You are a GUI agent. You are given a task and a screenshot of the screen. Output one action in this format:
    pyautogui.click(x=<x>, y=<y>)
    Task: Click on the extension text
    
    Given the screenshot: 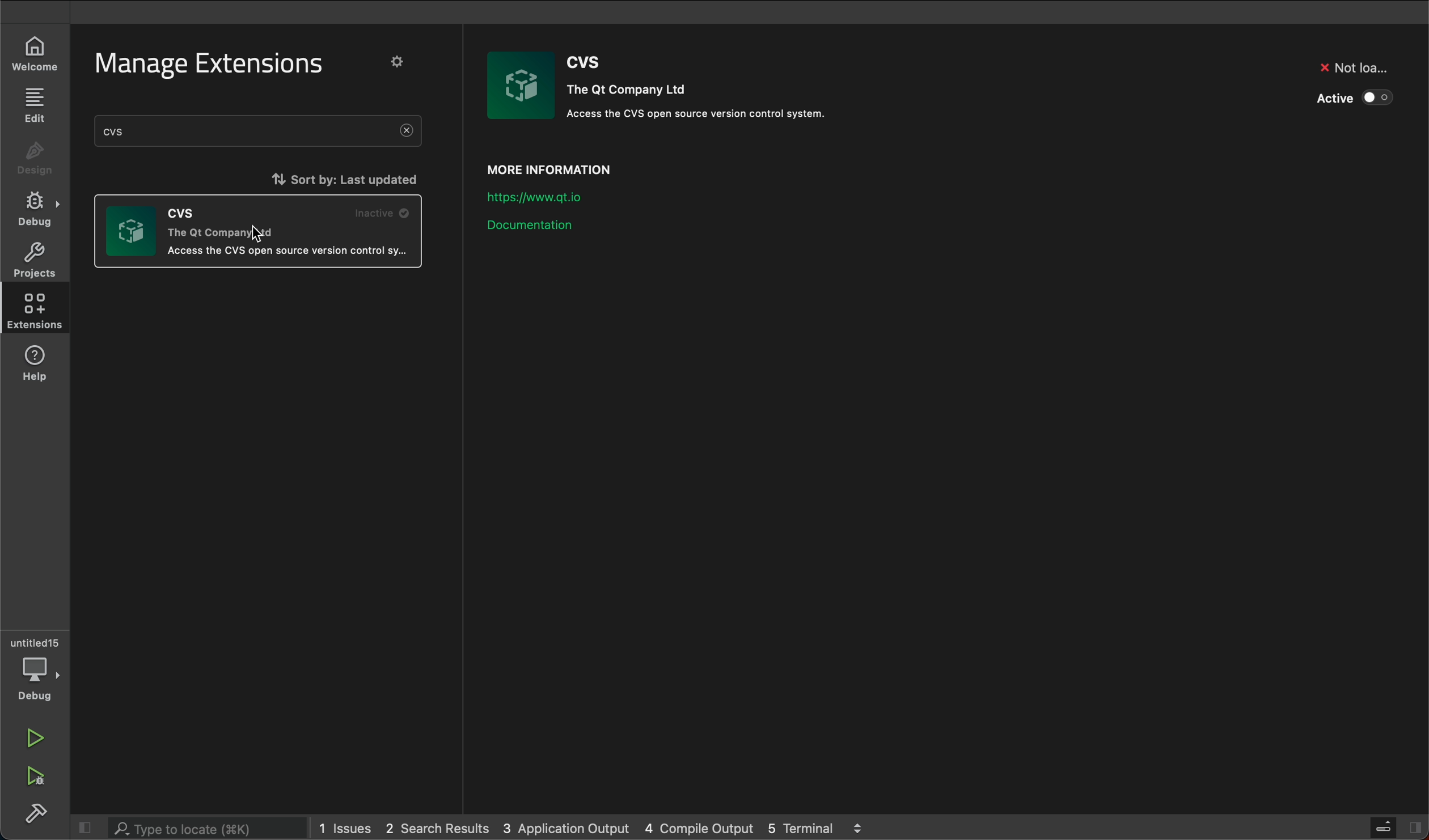 What is the action you would take?
    pyautogui.click(x=220, y=221)
    